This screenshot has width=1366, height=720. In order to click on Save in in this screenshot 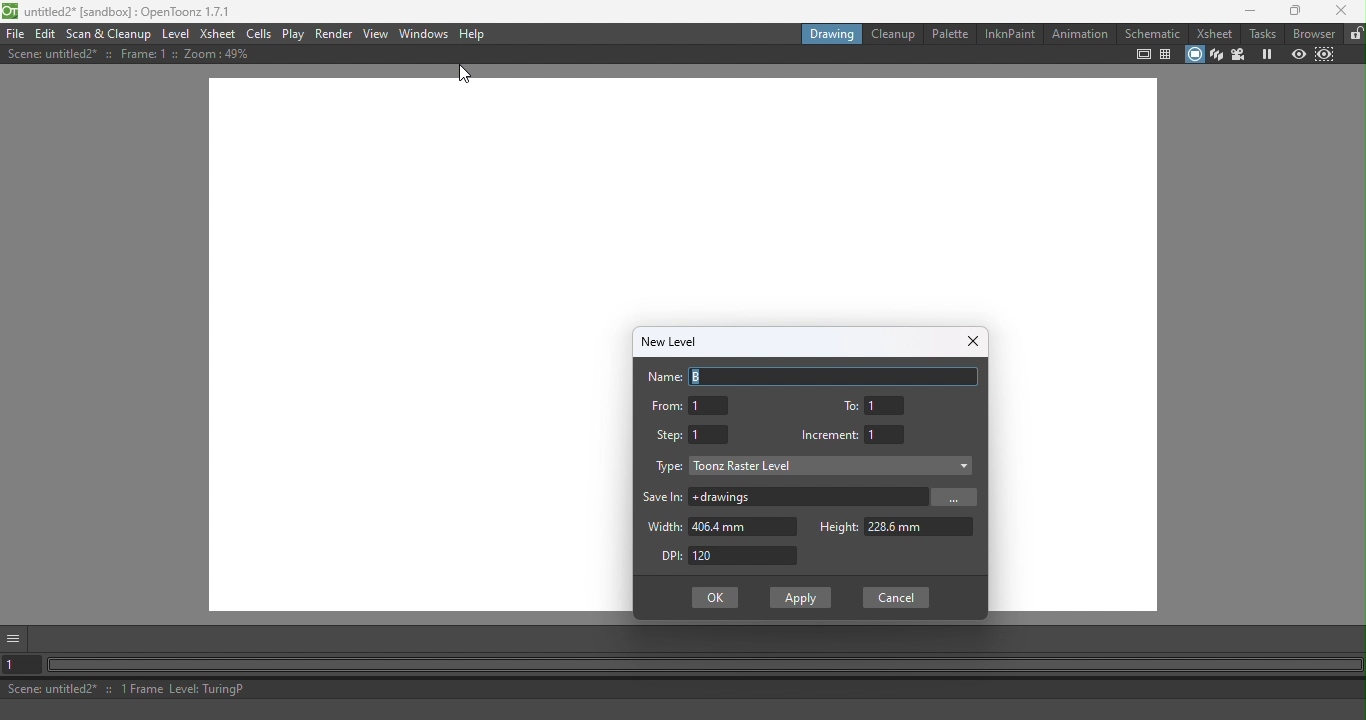, I will do `click(662, 499)`.